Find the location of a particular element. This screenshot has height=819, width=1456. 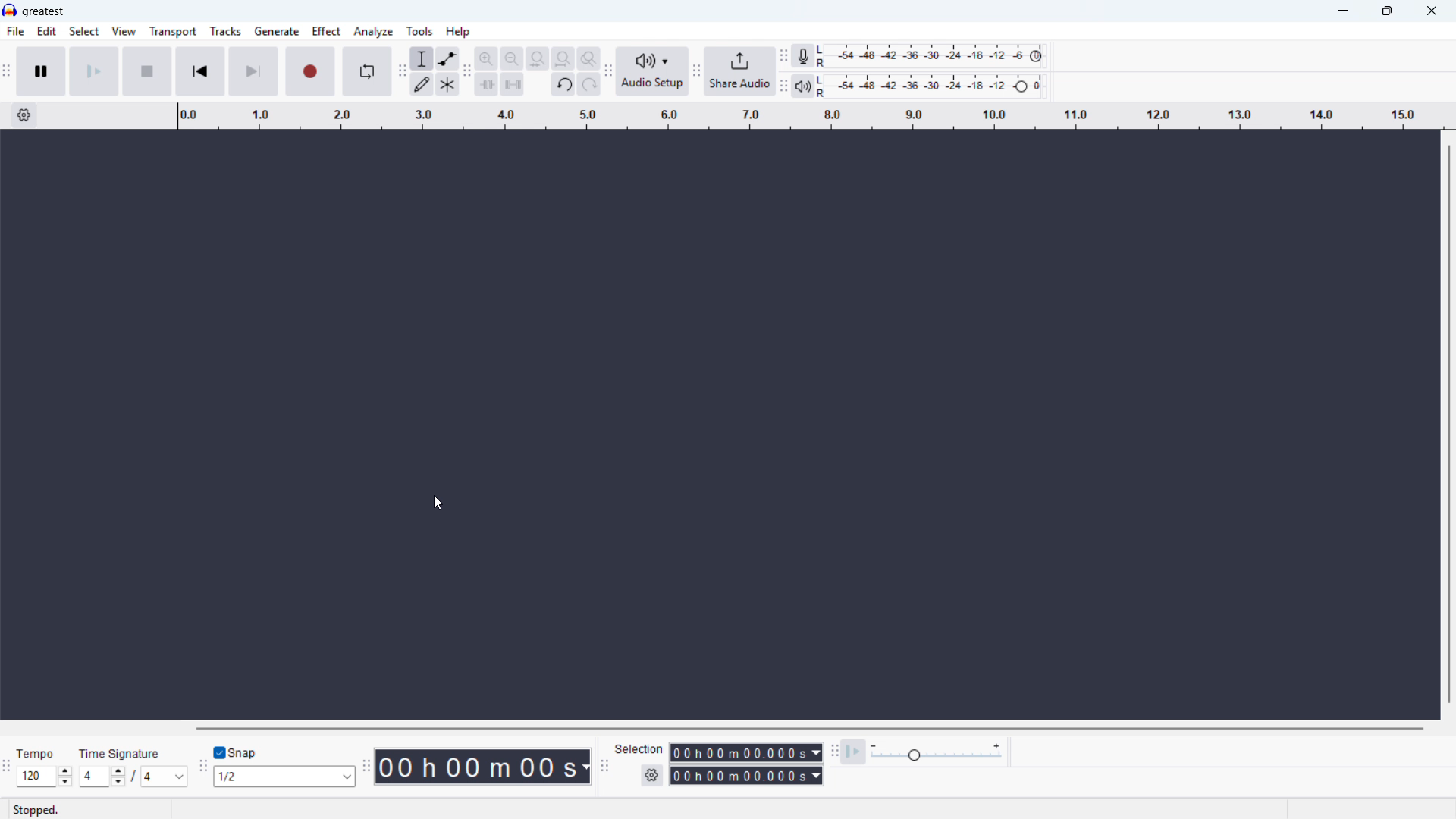

playback metre toolbar is located at coordinates (783, 87).